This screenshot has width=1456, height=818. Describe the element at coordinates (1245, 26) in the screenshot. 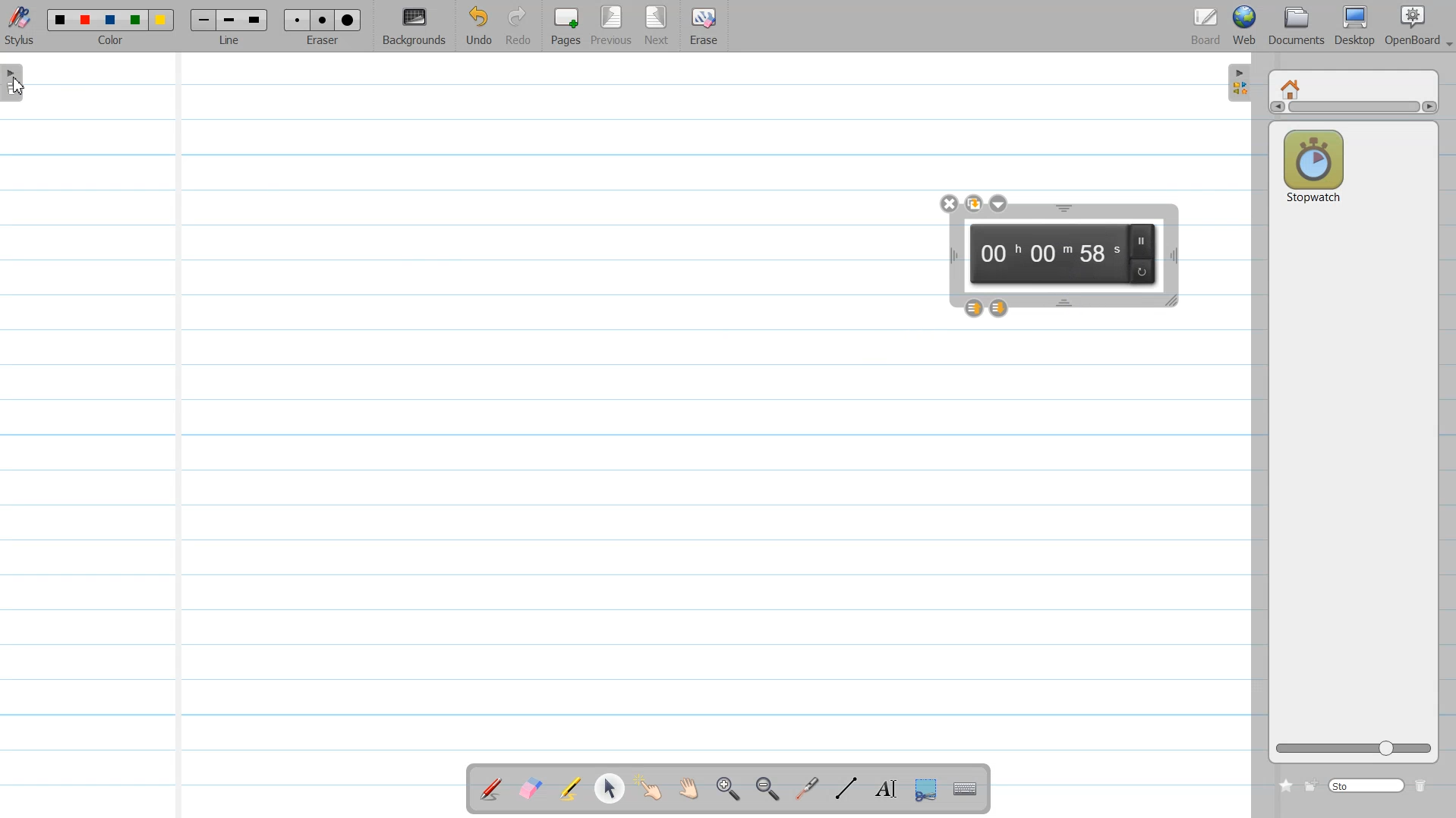

I see `Web` at that location.